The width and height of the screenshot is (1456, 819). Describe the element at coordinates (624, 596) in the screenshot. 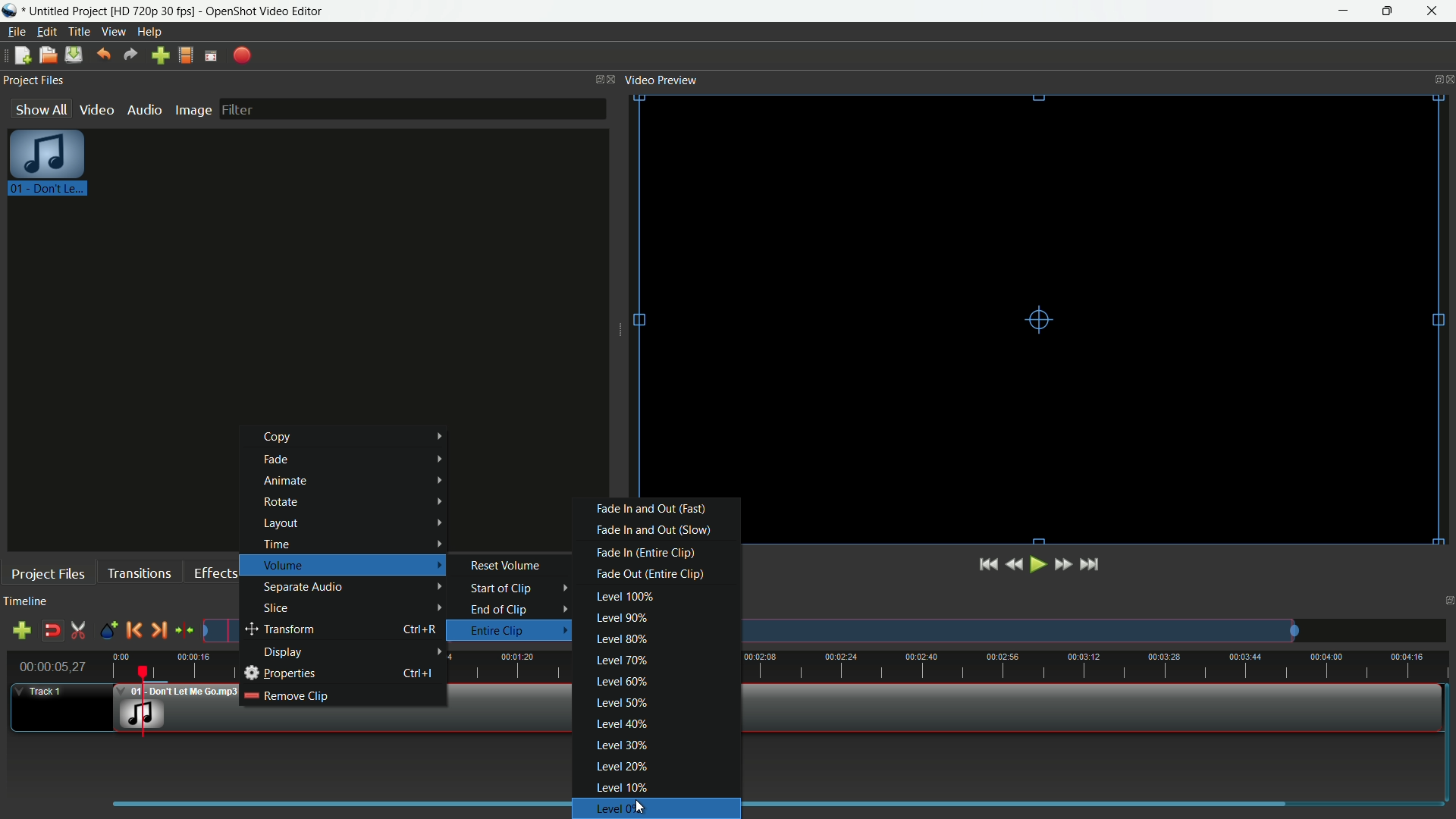

I see `level 100%` at that location.